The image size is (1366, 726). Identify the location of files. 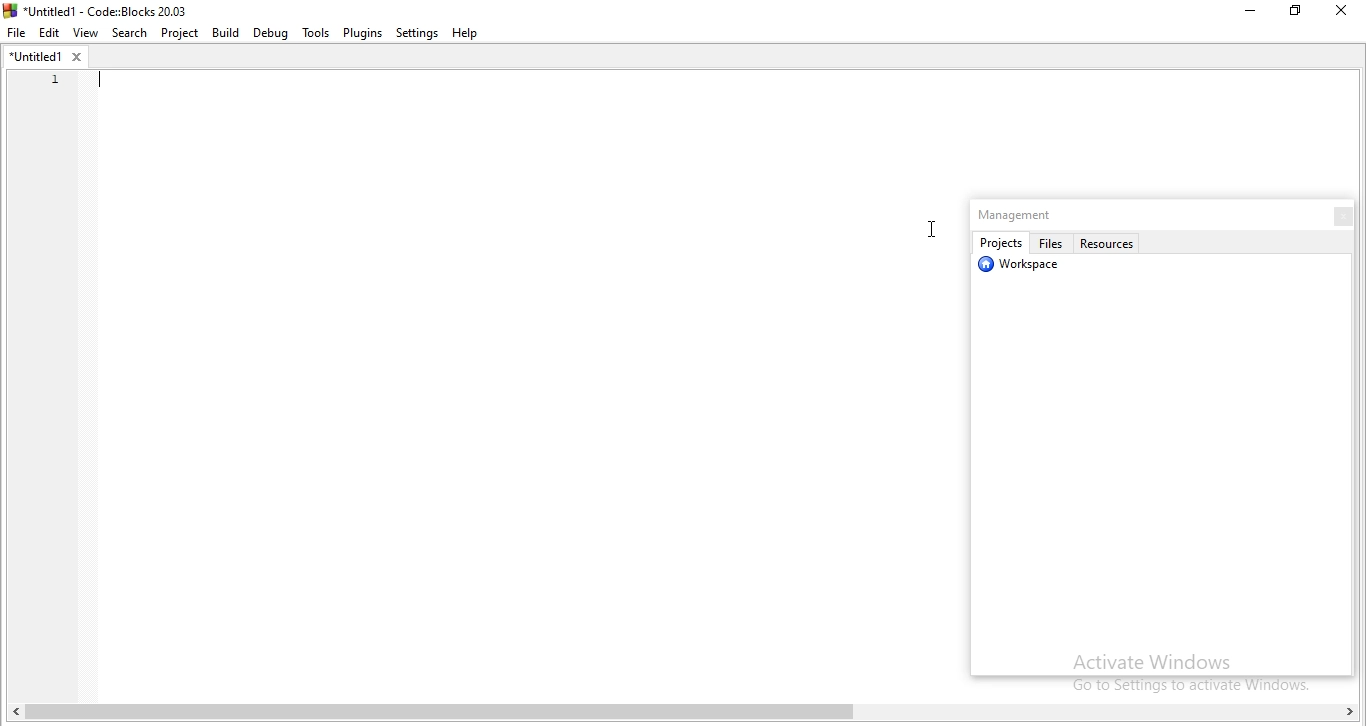
(1053, 243).